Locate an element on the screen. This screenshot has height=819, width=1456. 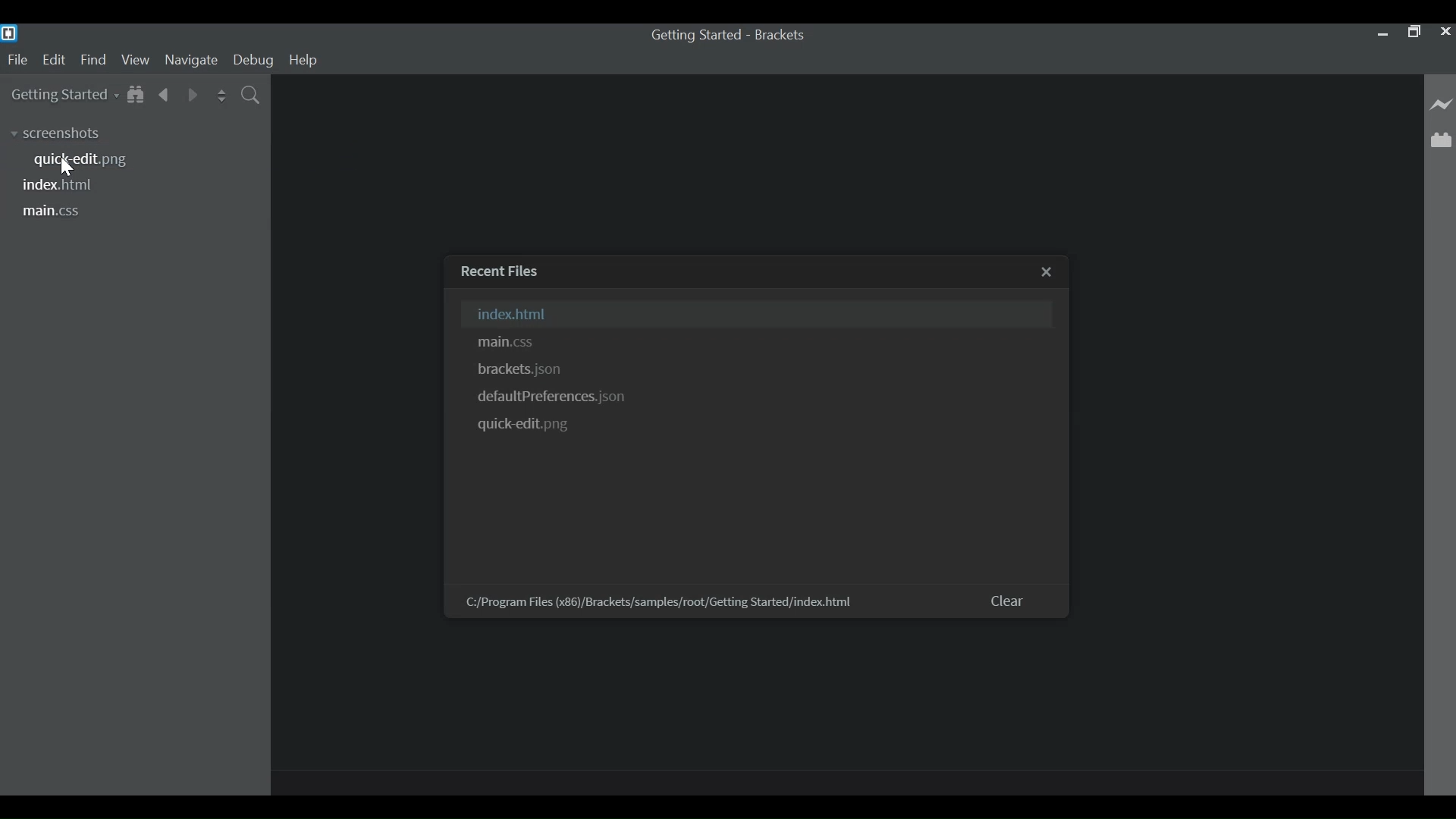
Debug is located at coordinates (253, 60).